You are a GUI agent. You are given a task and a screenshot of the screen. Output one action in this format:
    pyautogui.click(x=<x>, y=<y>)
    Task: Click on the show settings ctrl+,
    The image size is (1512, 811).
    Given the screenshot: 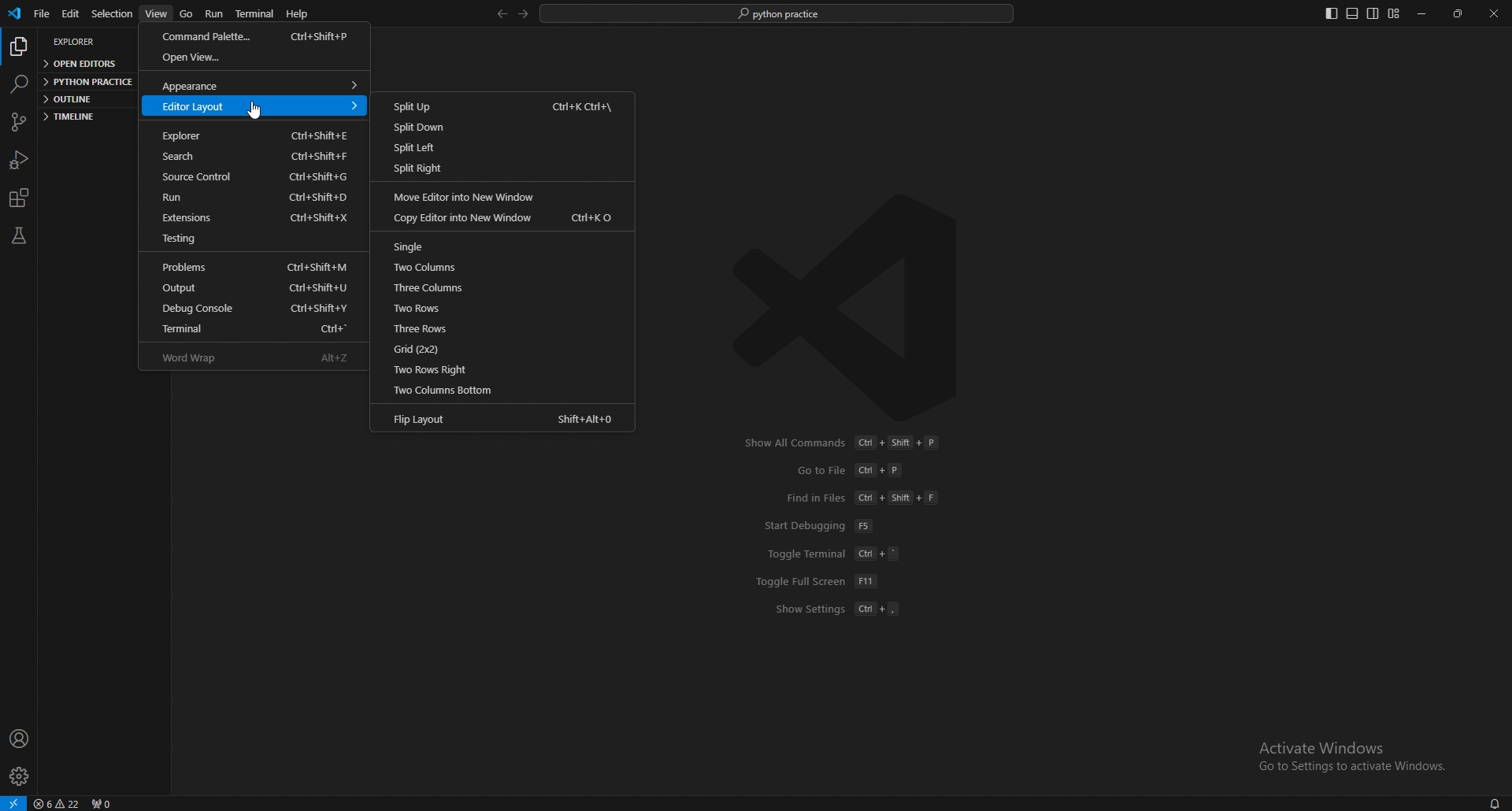 What is the action you would take?
    pyautogui.click(x=839, y=609)
    